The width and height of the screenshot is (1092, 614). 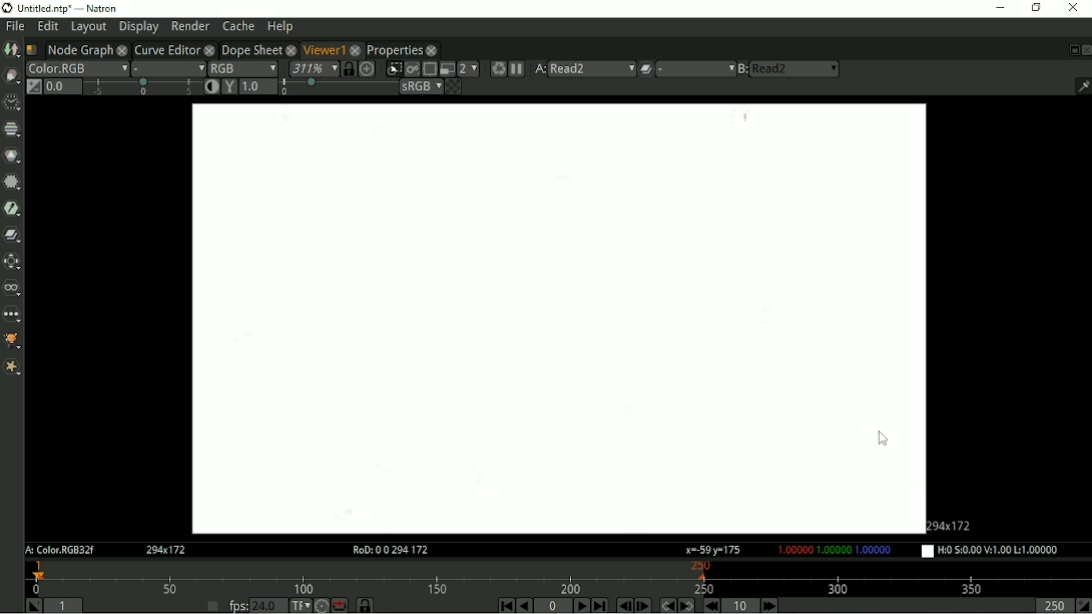 I want to click on Scales down rendered image, so click(x=468, y=69).